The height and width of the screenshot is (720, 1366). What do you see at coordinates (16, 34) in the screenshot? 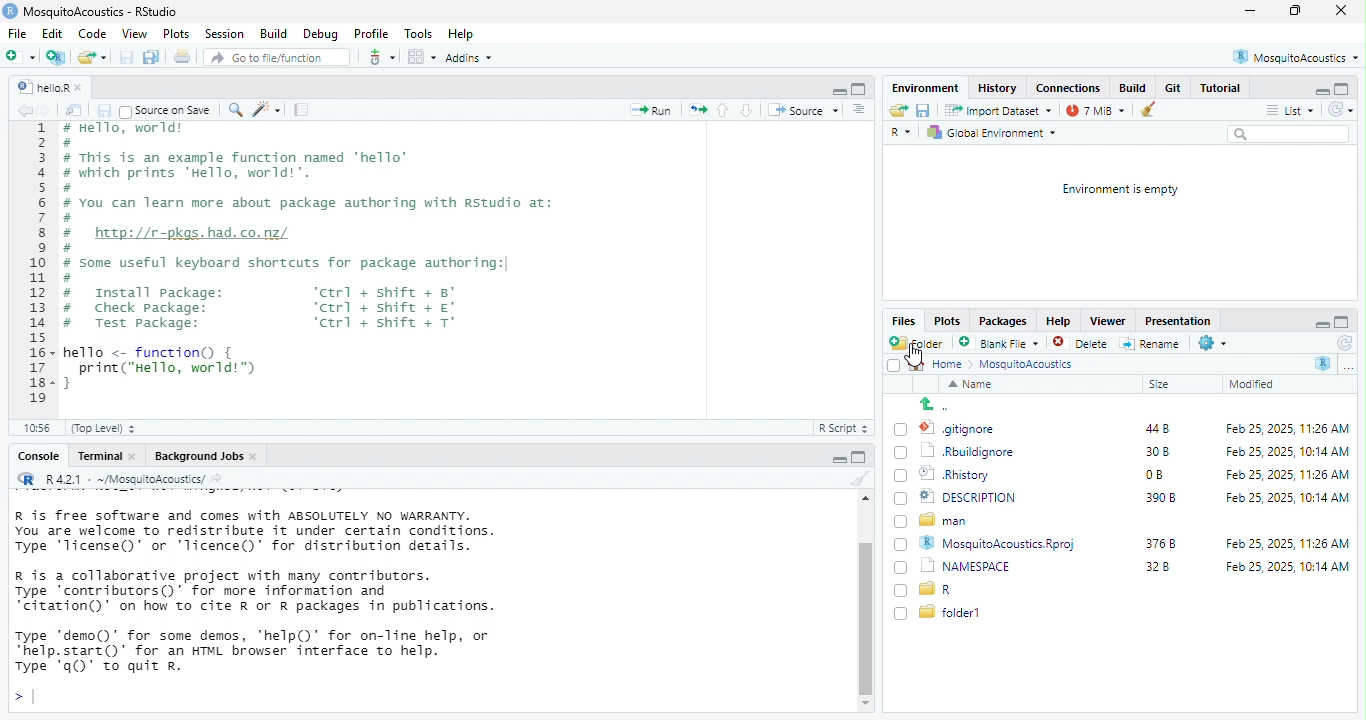
I see `file` at bounding box center [16, 34].